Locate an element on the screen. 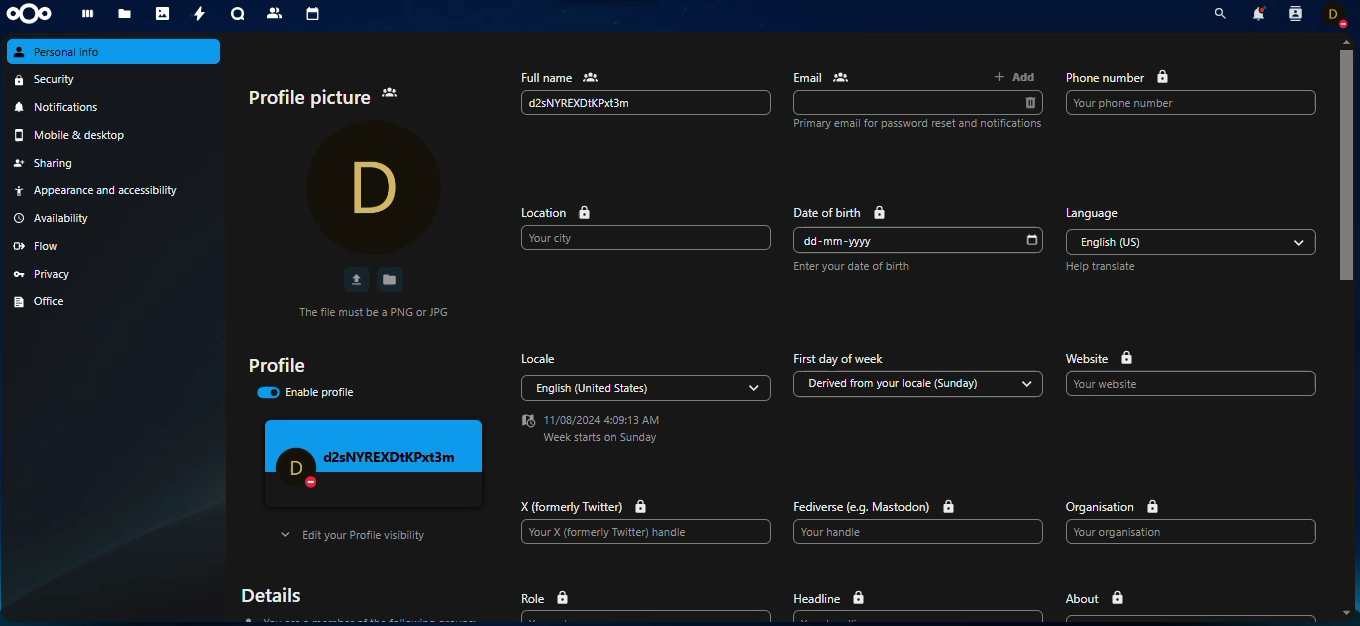  search is located at coordinates (1220, 14).